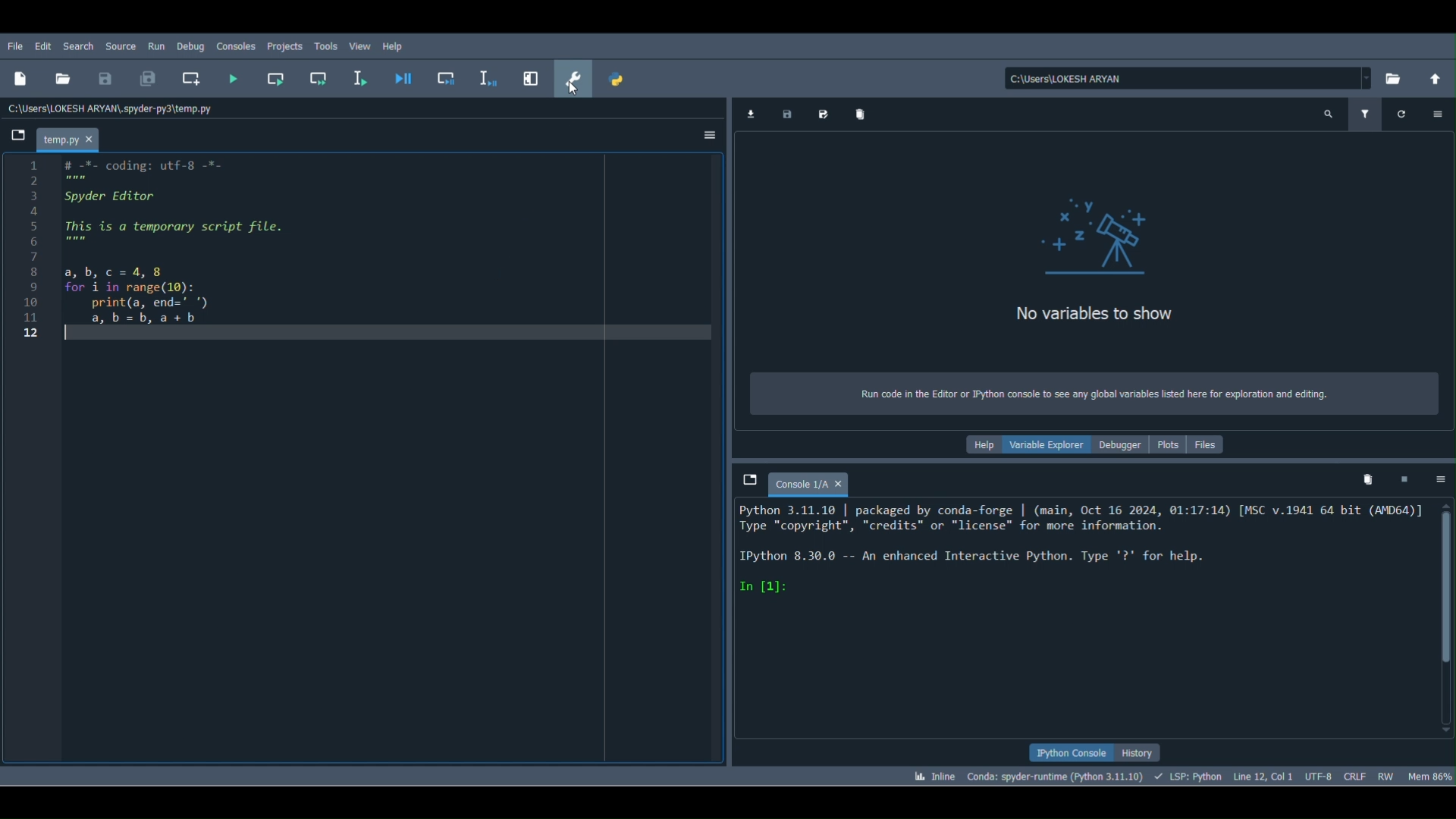 This screenshot has width=1456, height=819. What do you see at coordinates (749, 114) in the screenshot?
I see `Import data` at bounding box center [749, 114].